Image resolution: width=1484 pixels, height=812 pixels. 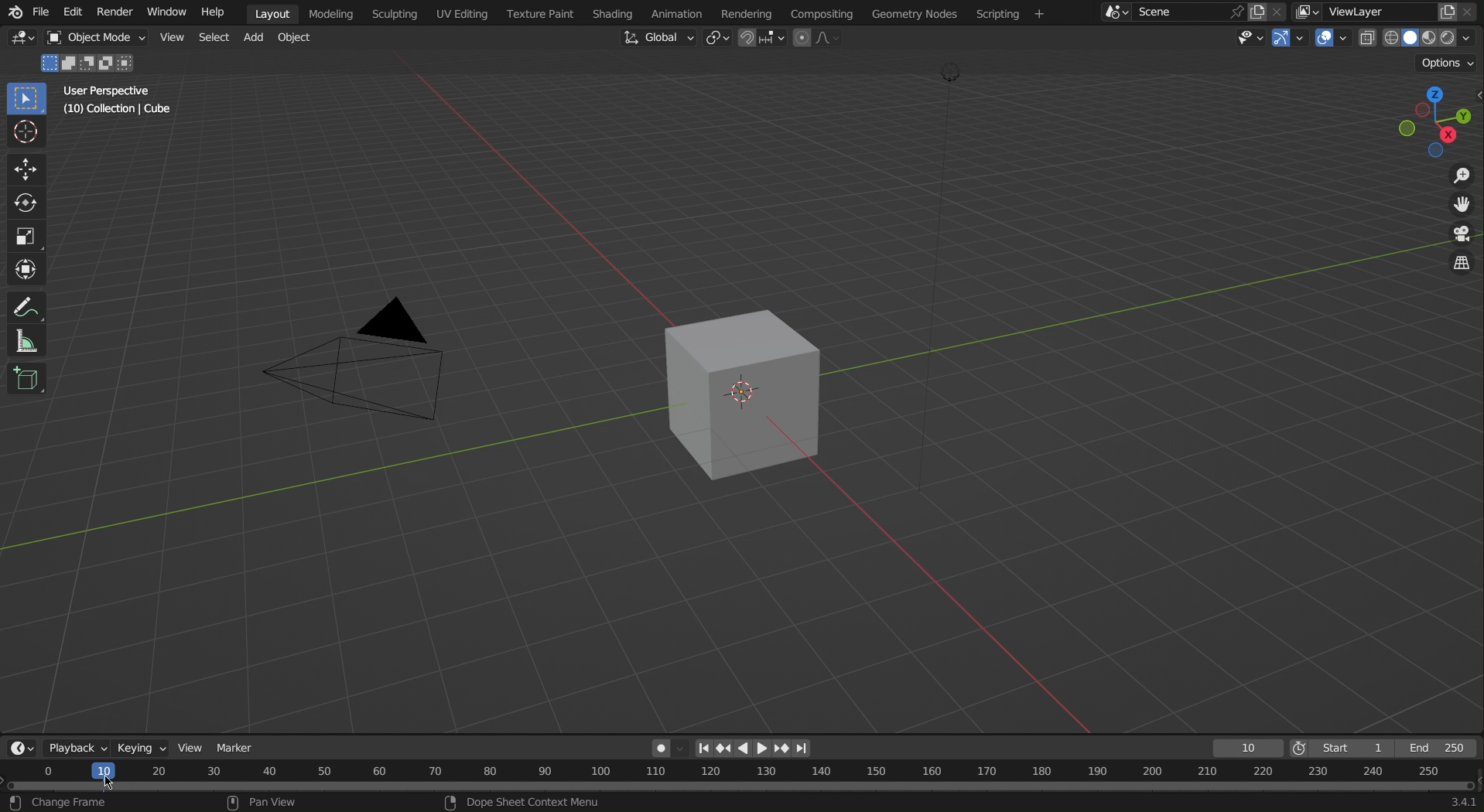 What do you see at coordinates (1460, 179) in the screenshot?
I see `Zoom` at bounding box center [1460, 179].